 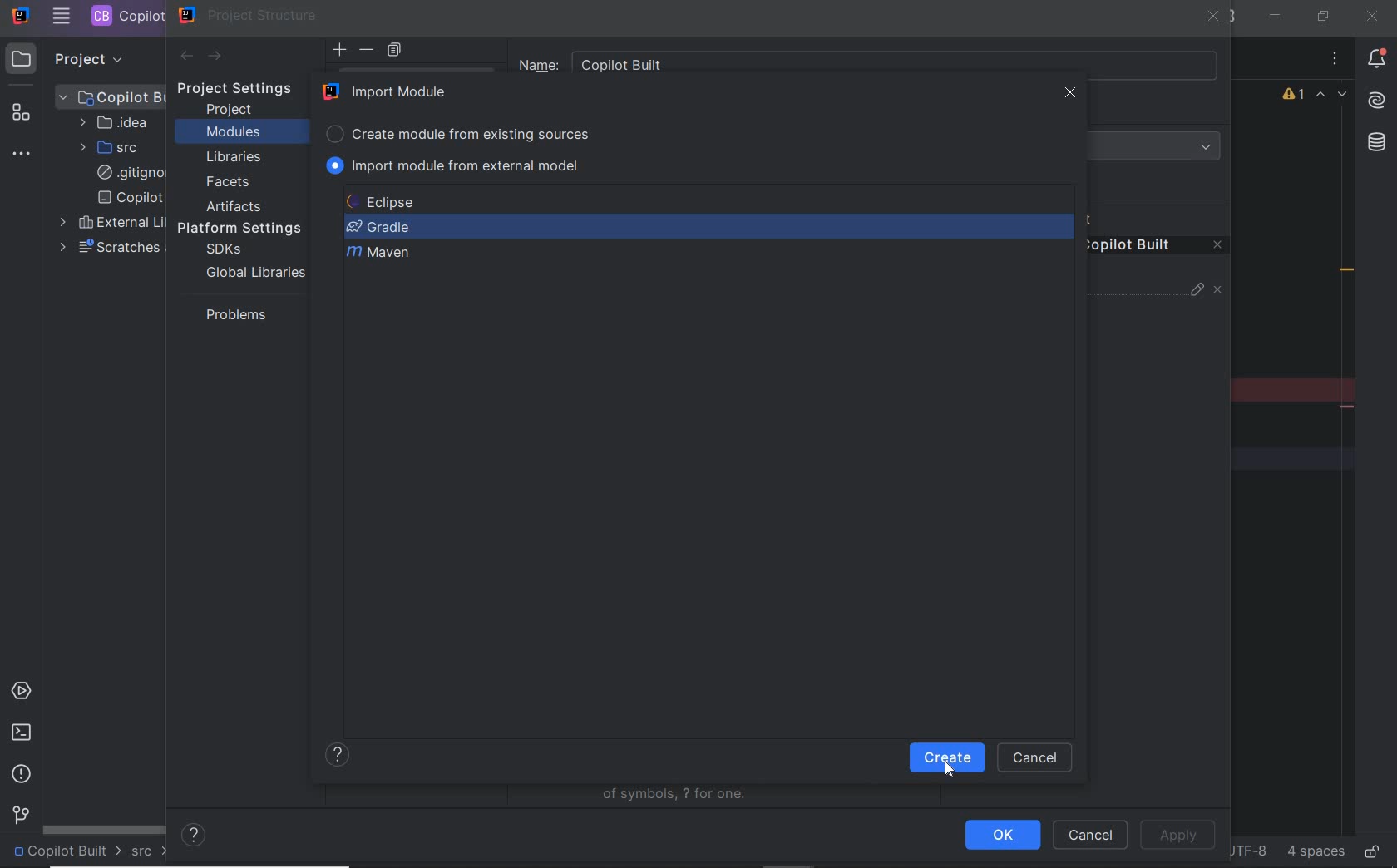 I want to click on 1 warning, so click(x=1295, y=96).